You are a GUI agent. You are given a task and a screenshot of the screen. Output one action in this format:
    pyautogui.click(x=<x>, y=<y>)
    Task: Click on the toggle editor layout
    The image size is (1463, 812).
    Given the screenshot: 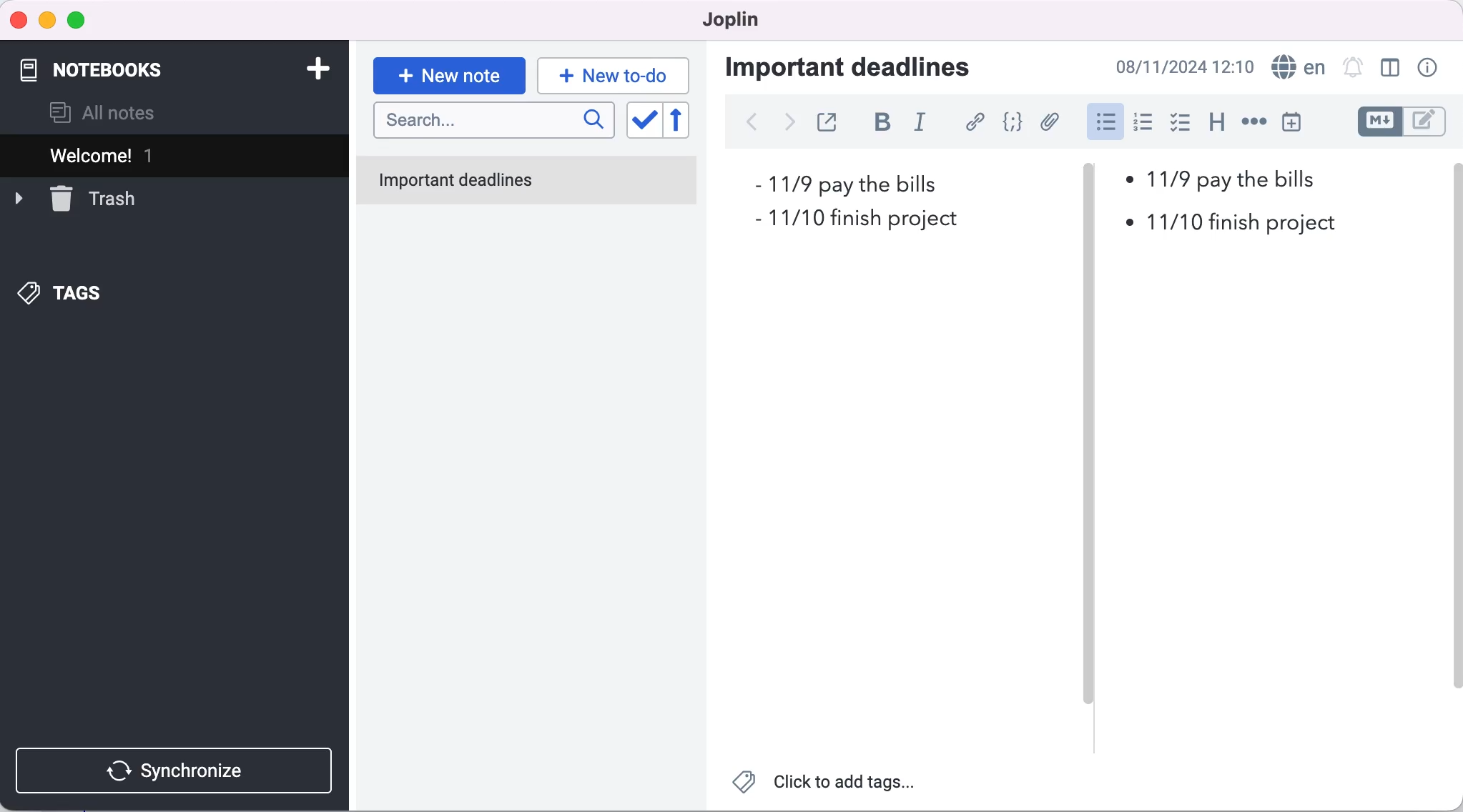 What is the action you would take?
    pyautogui.click(x=1387, y=69)
    